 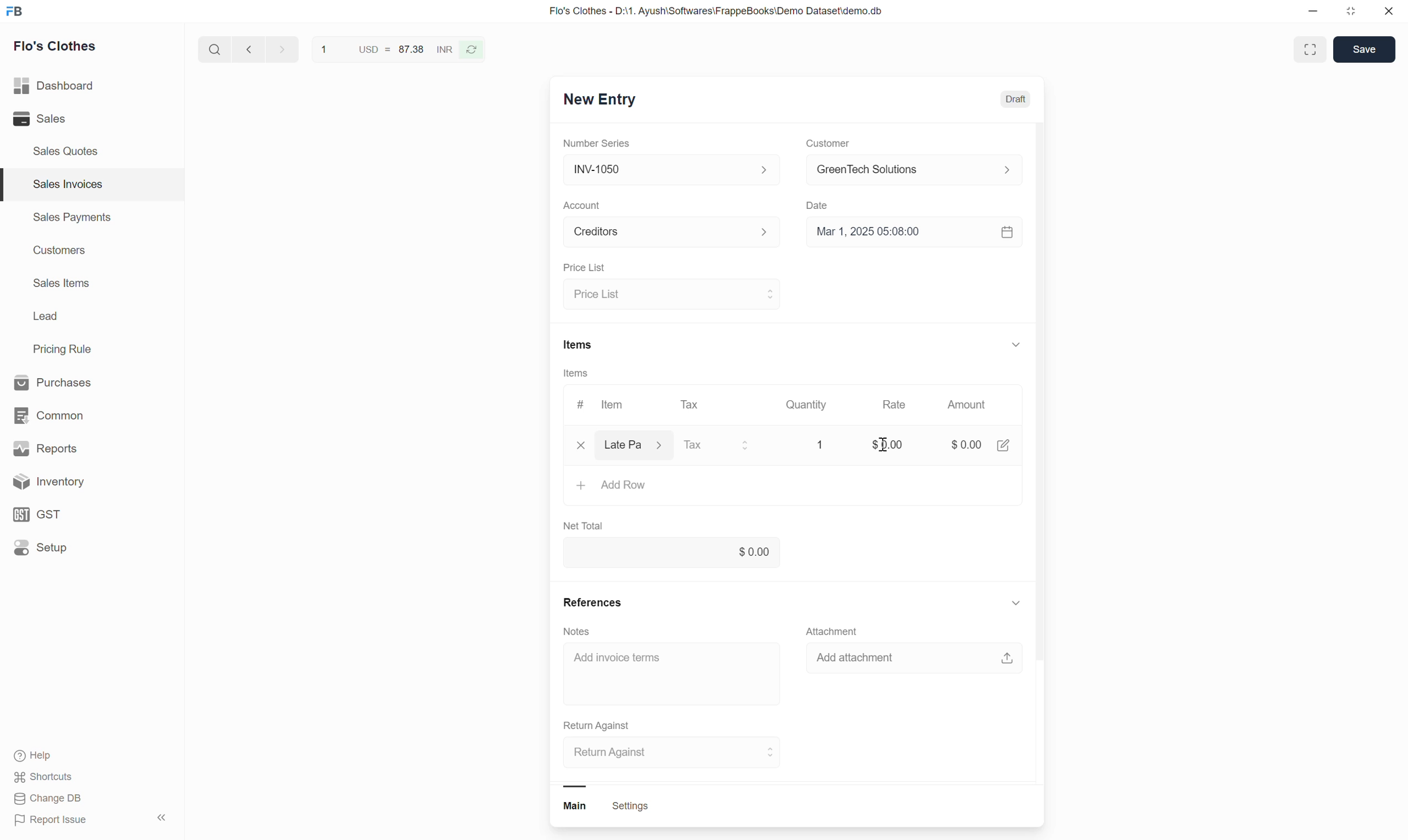 What do you see at coordinates (631, 808) in the screenshot?
I see `settings` at bounding box center [631, 808].